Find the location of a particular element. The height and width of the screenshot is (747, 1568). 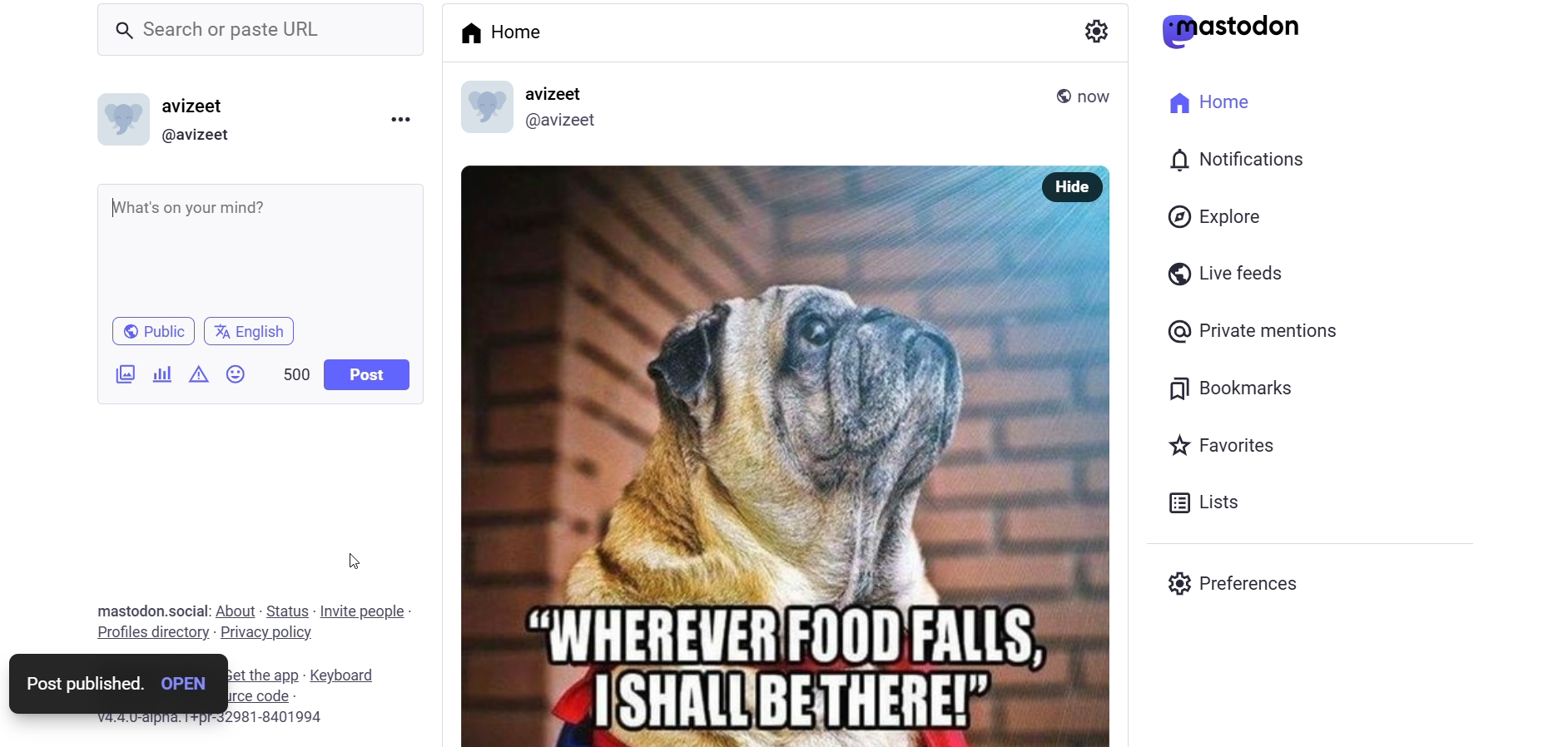

mastodon is located at coordinates (1239, 29).